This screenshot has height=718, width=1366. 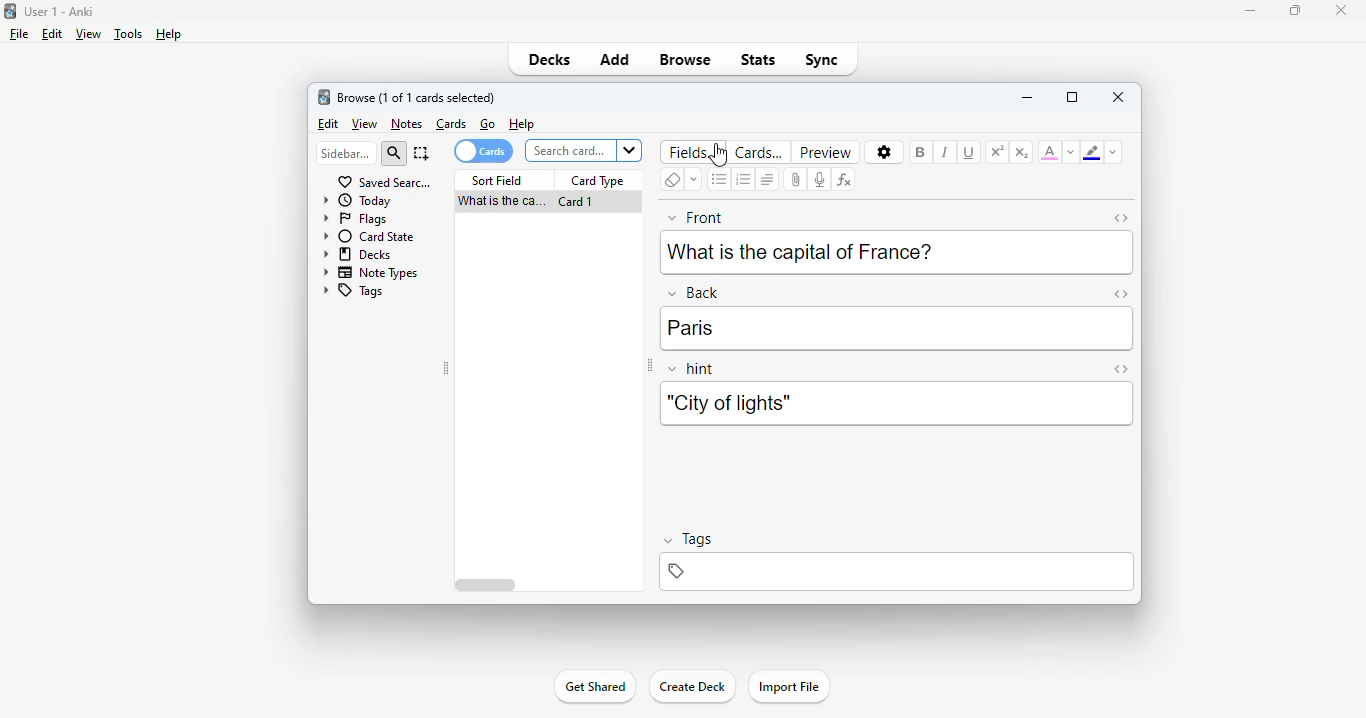 I want to click on tags, so click(x=687, y=541).